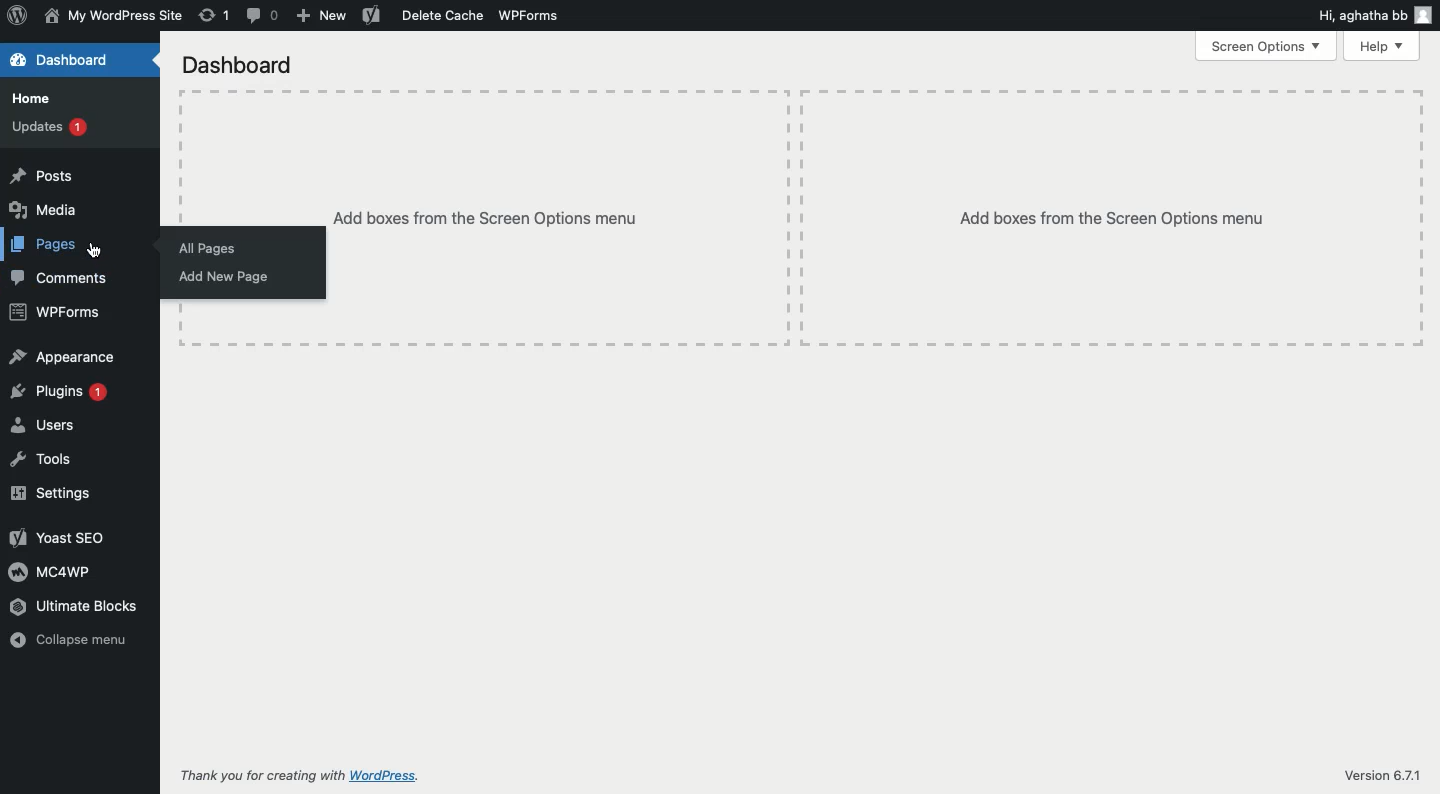  What do you see at coordinates (371, 14) in the screenshot?
I see `Yoast` at bounding box center [371, 14].